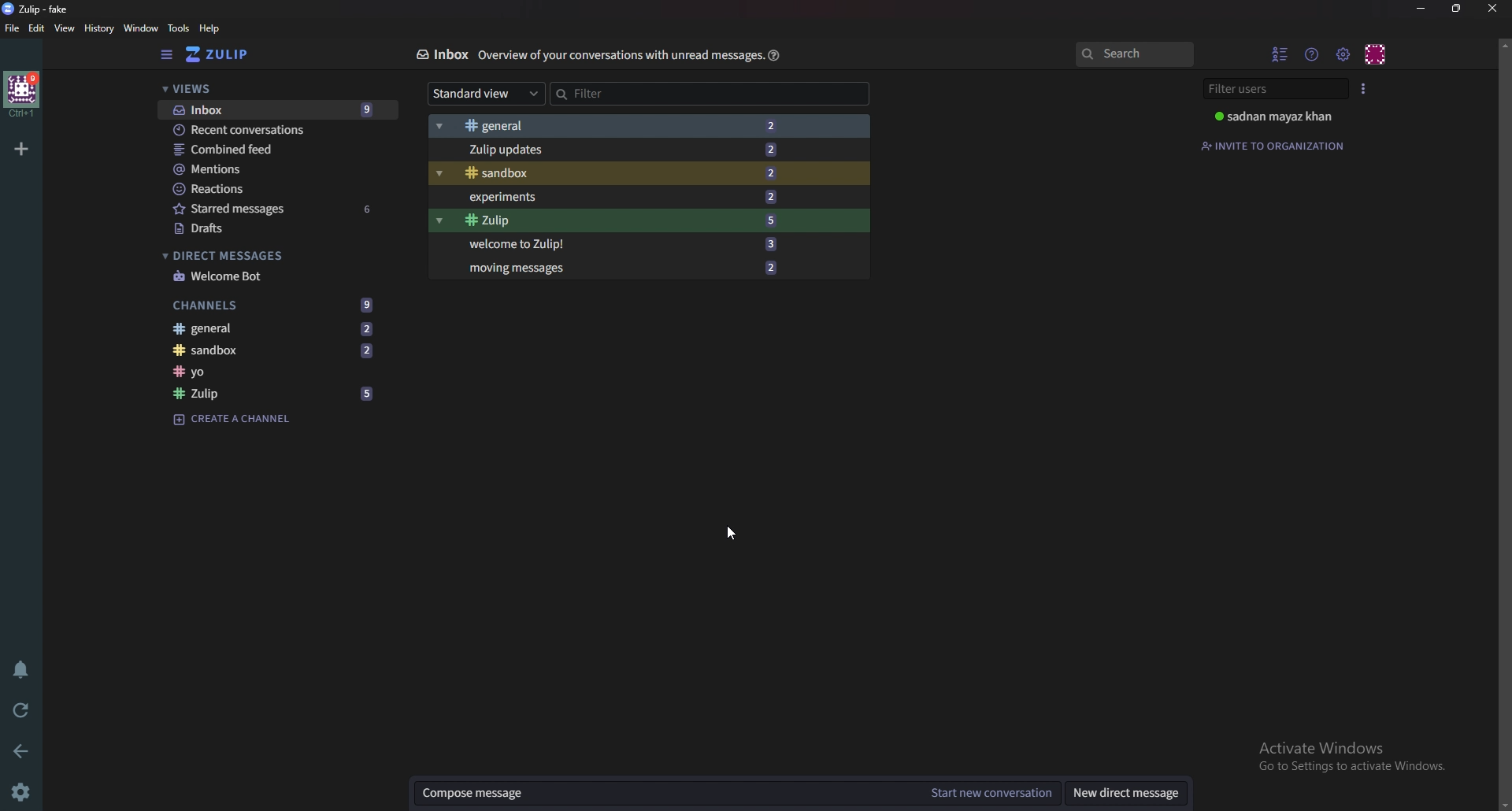 The height and width of the screenshot is (811, 1512). Describe the element at coordinates (262, 191) in the screenshot. I see `Reactions` at that location.